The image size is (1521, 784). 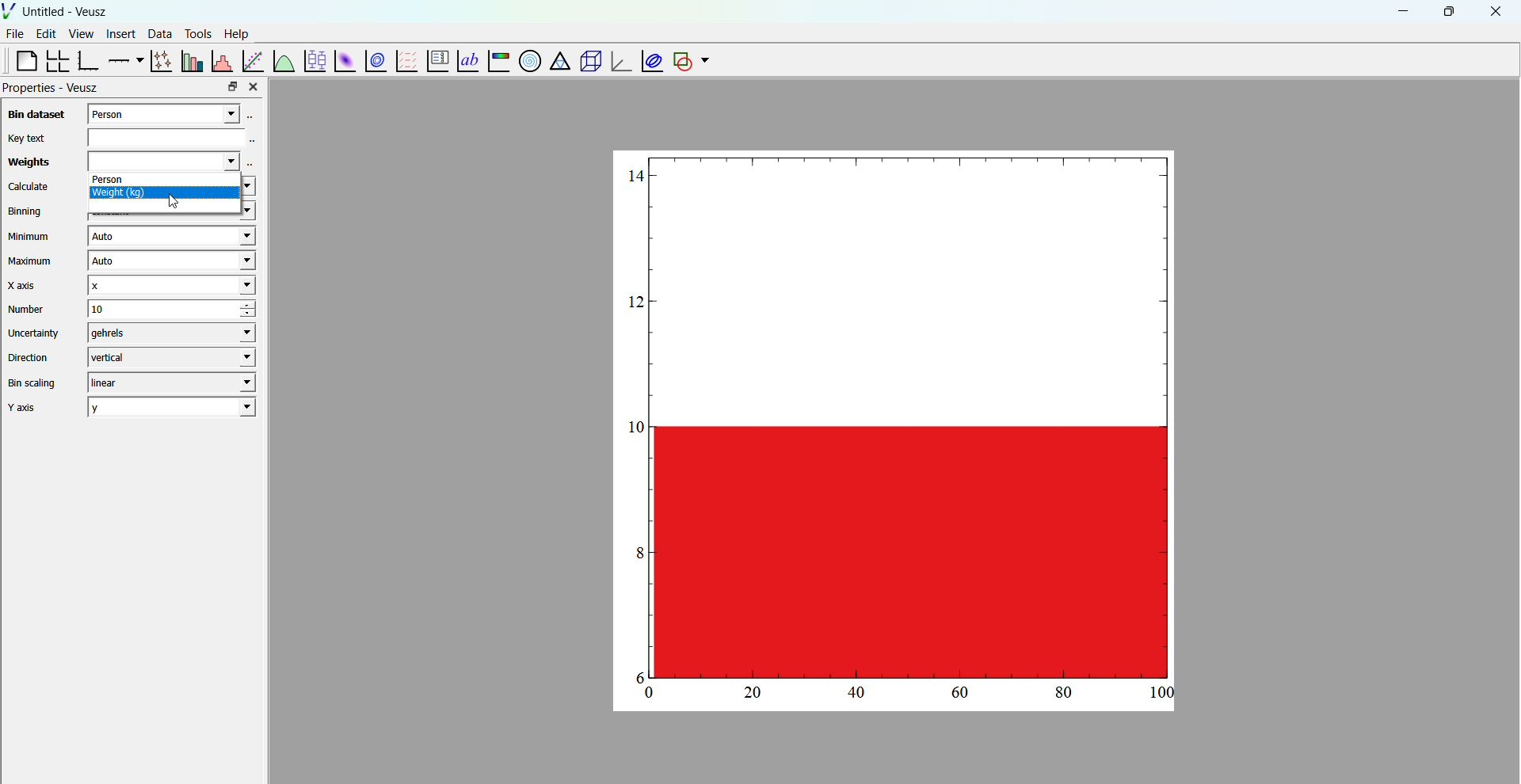 I want to click on close, so click(x=1496, y=12).